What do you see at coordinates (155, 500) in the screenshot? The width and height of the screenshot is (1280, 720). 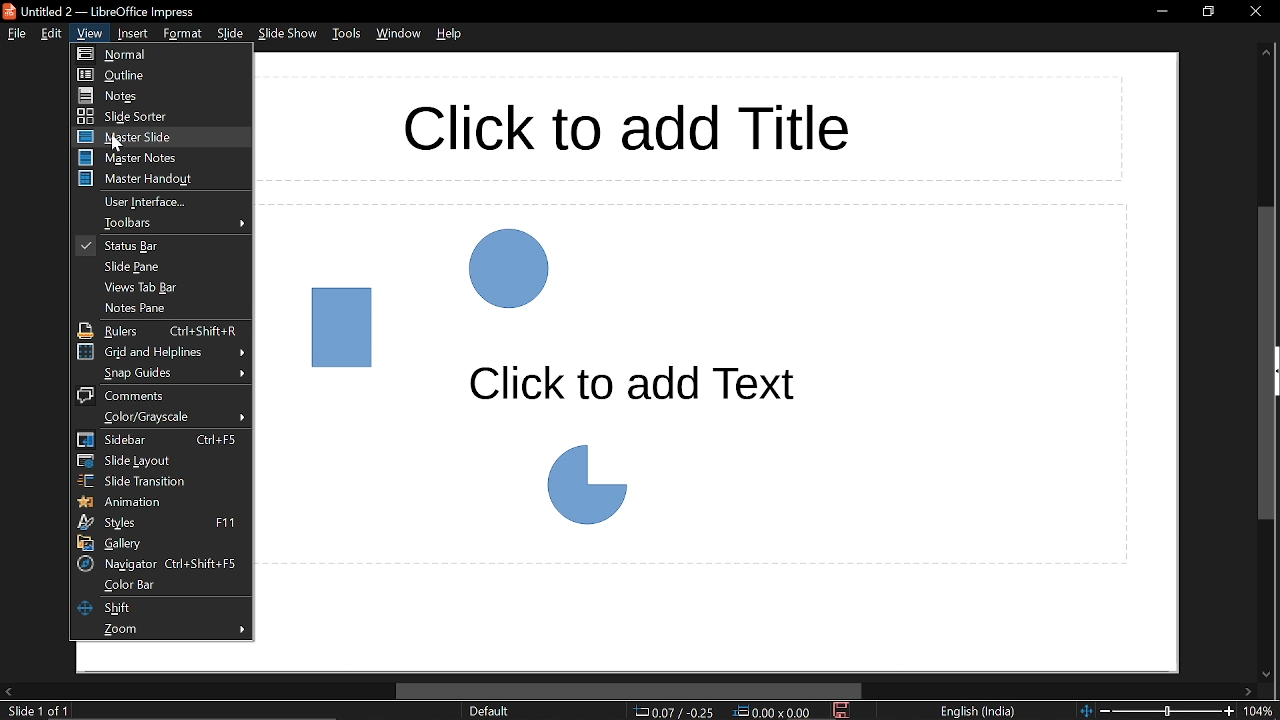 I see `Animation` at bounding box center [155, 500].